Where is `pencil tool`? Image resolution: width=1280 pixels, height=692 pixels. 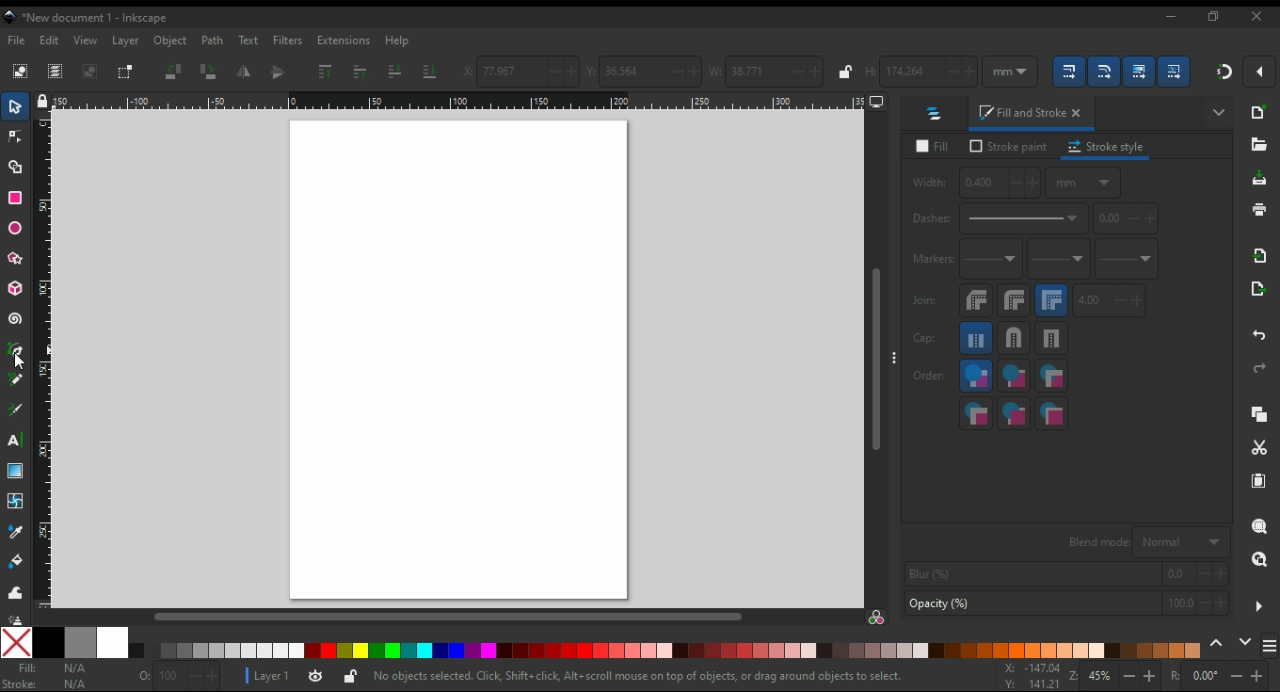
pencil tool is located at coordinates (17, 384).